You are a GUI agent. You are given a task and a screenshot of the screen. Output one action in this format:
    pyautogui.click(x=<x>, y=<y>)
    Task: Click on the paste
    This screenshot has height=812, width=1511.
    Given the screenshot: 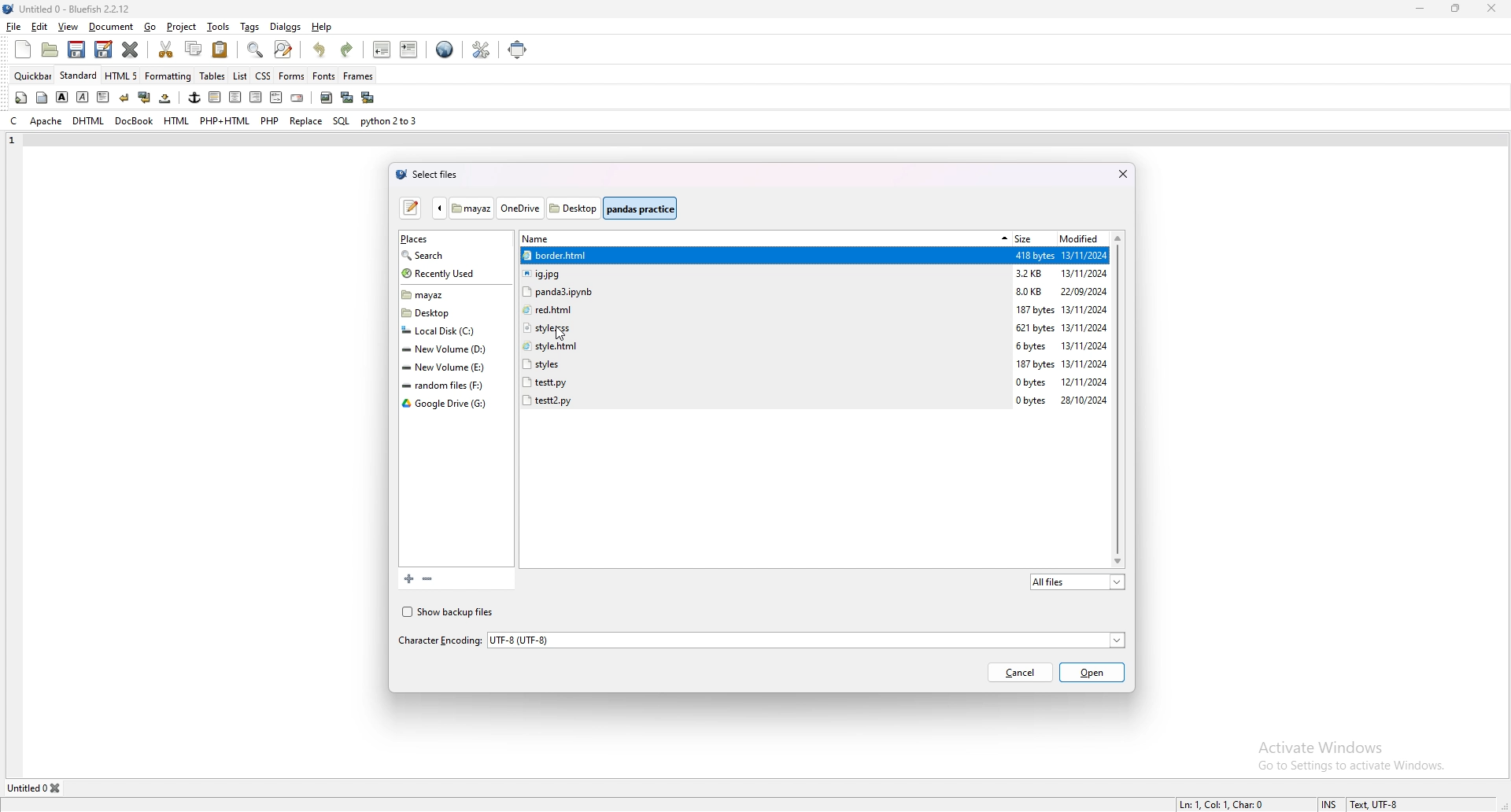 What is the action you would take?
    pyautogui.click(x=221, y=49)
    